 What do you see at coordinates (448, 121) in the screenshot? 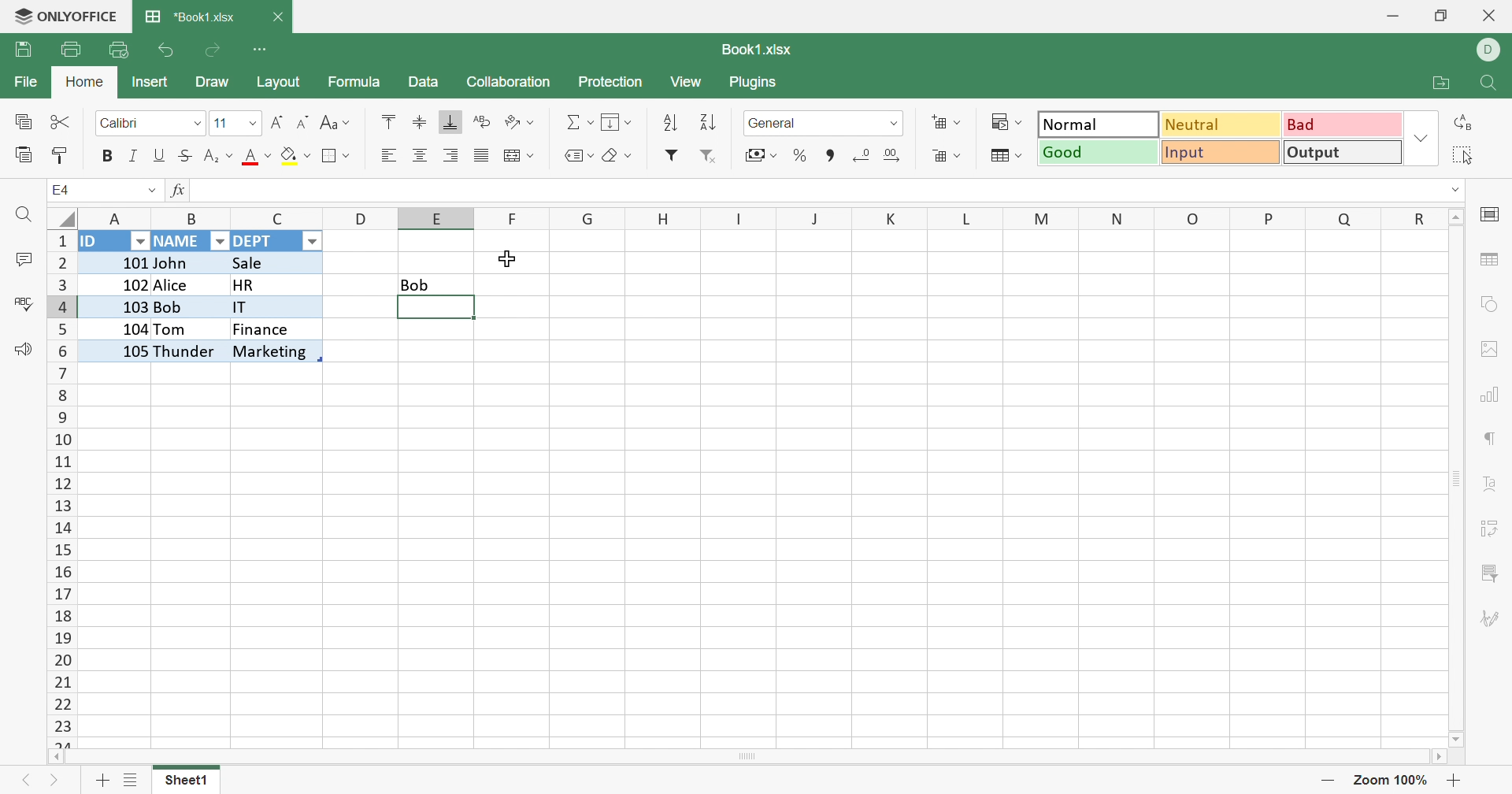
I see `Align Bottom` at bounding box center [448, 121].